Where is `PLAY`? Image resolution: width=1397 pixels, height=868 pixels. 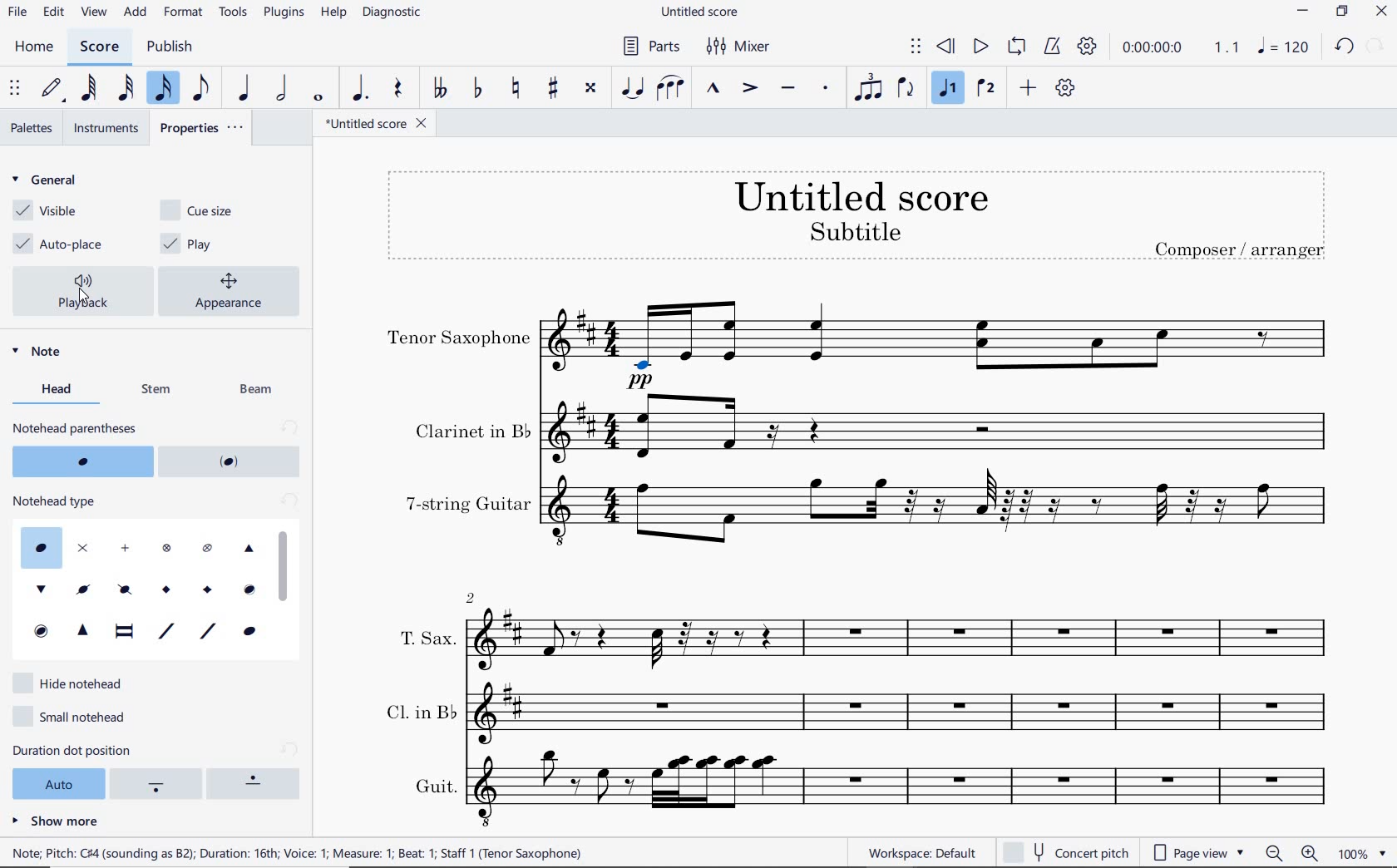
PLAY is located at coordinates (980, 47).